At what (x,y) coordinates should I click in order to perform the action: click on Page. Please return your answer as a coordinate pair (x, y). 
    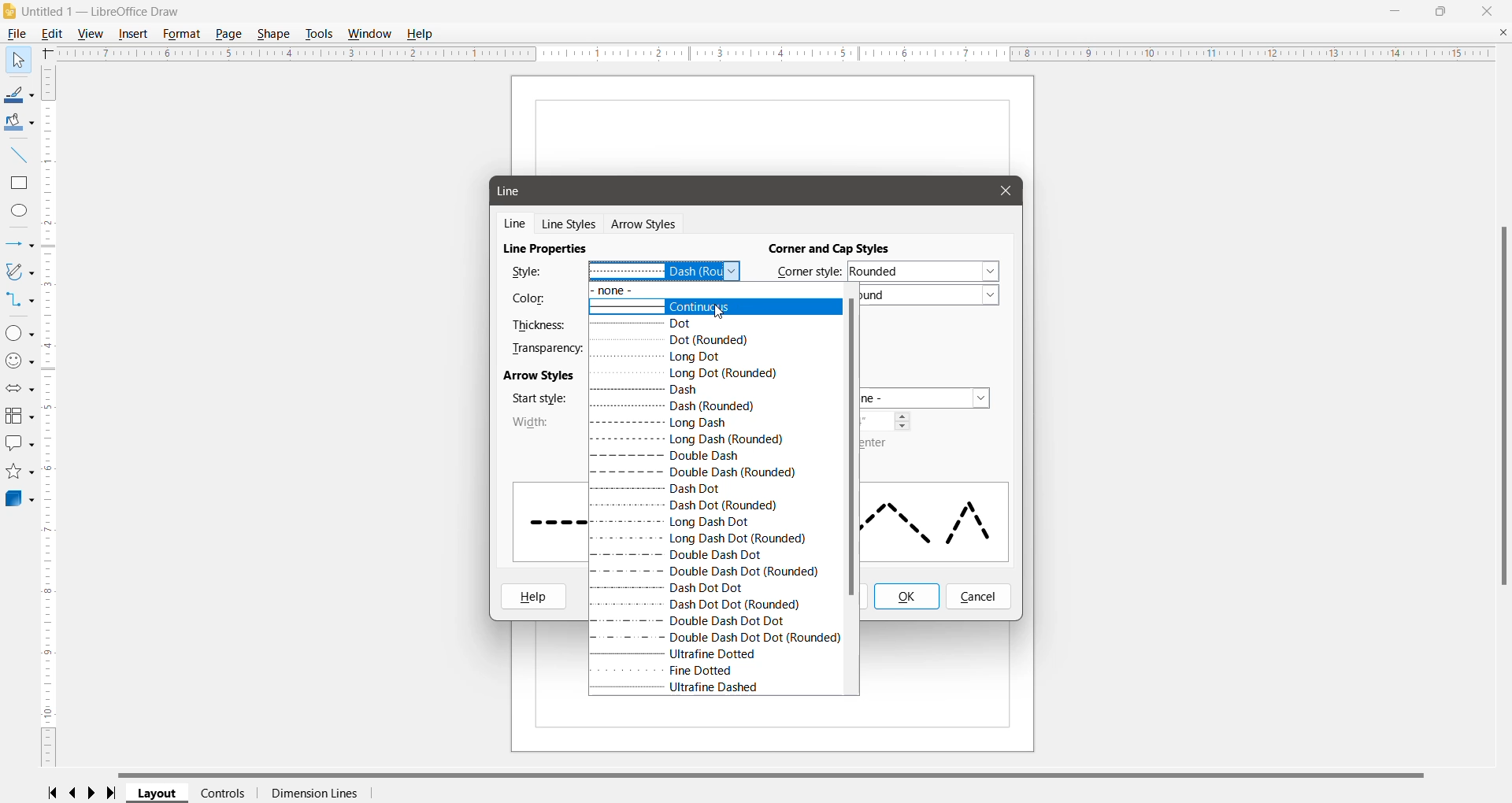
    Looking at the image, I should click on (229, 34).